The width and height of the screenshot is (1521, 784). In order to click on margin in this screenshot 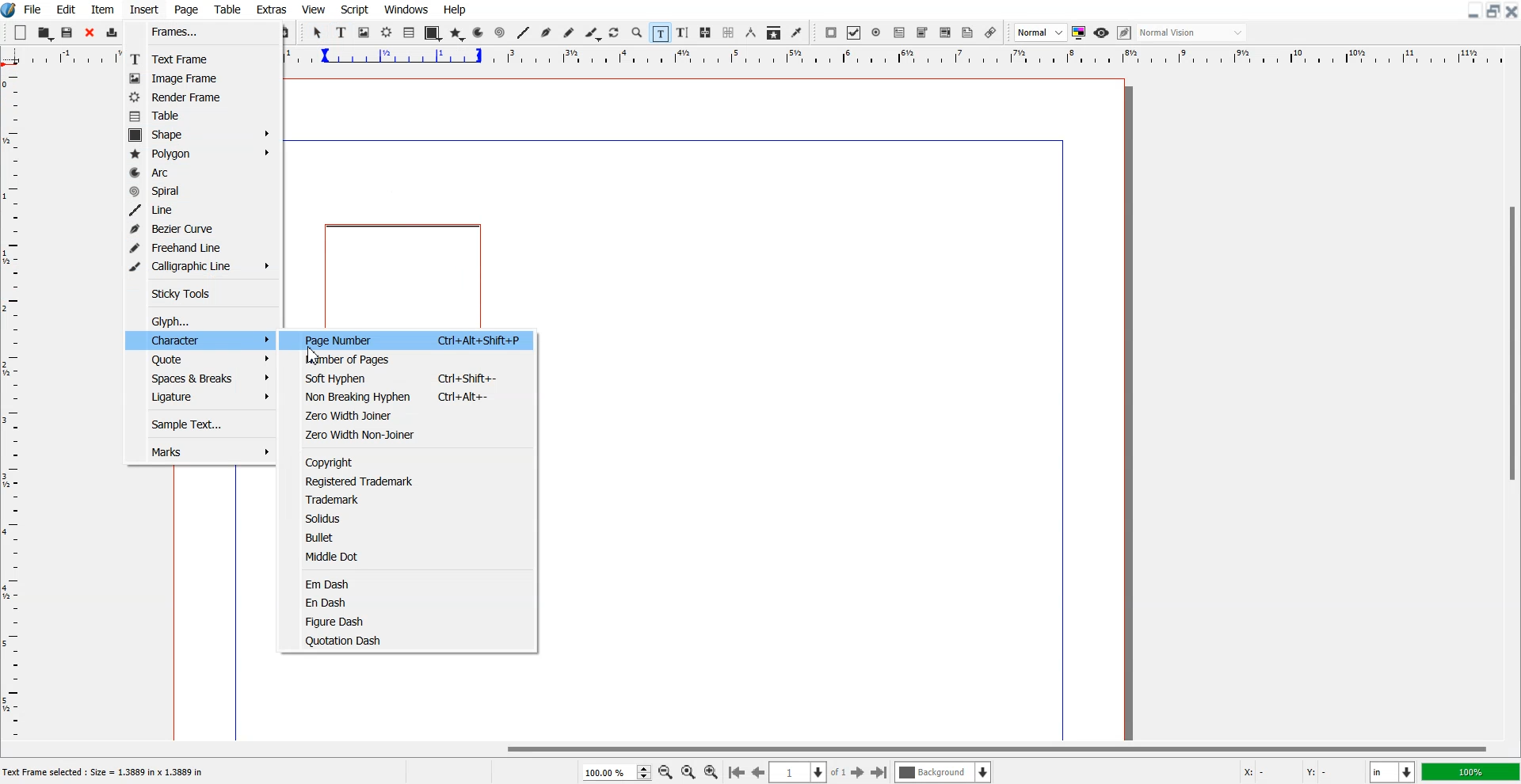, I will do `click(669, 137)`.